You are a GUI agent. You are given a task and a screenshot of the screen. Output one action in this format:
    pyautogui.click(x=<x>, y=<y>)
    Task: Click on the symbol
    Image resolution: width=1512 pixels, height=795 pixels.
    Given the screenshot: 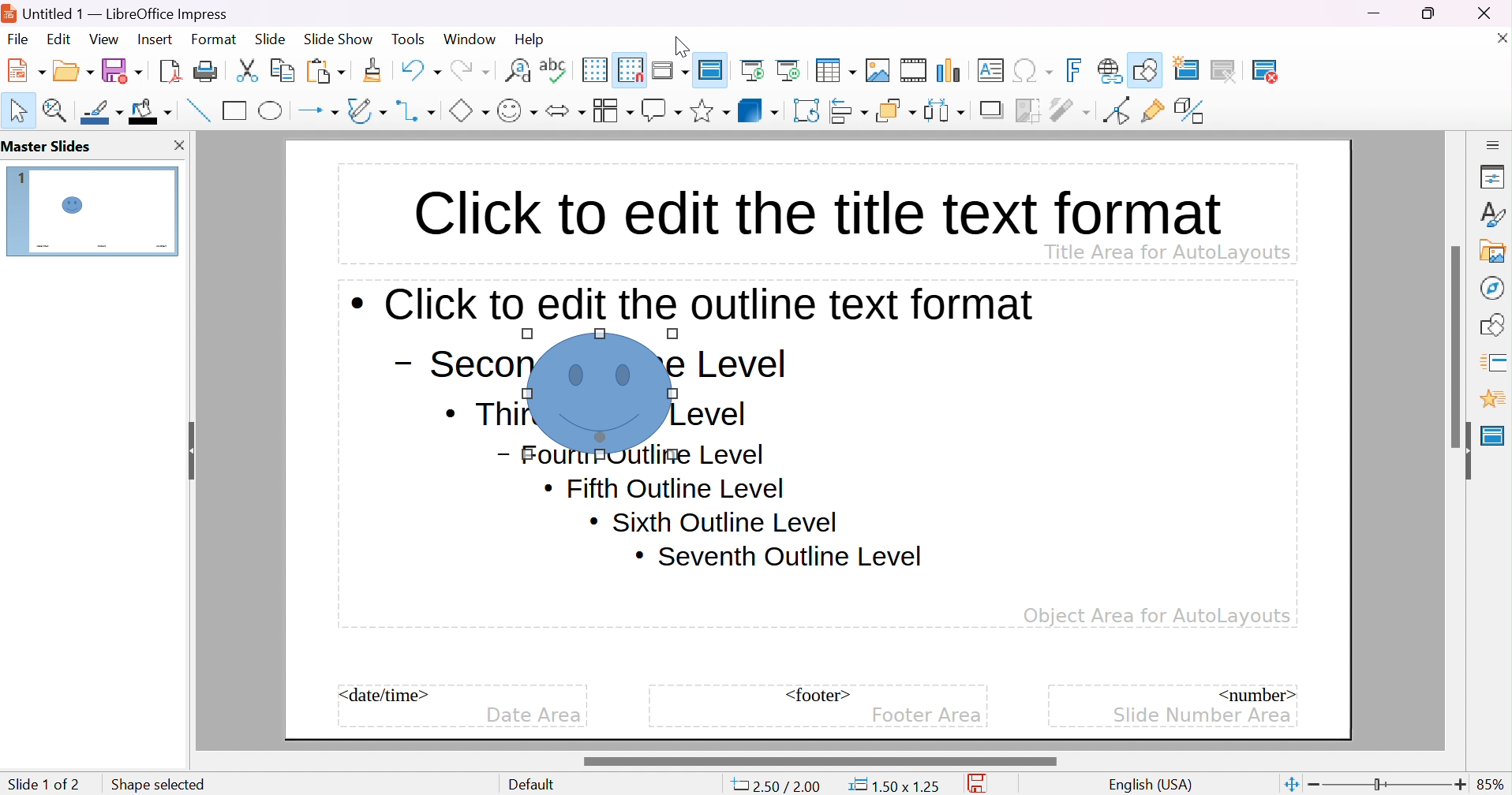 What is the action you would take?
    pyautogui.click(x=601, y=393)
    